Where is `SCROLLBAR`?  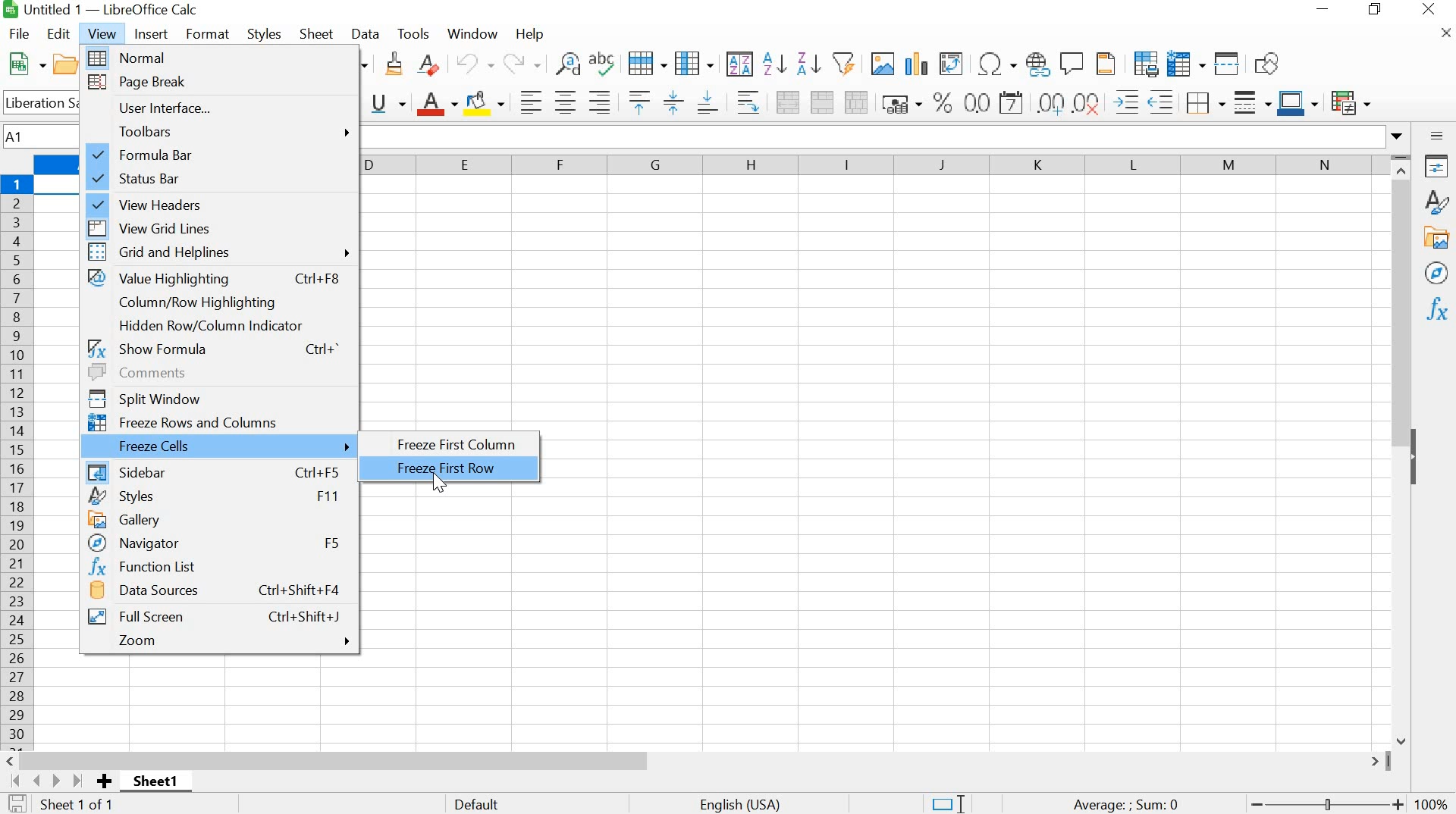
SCROLLBAR is located at coordinates (1404, 449).